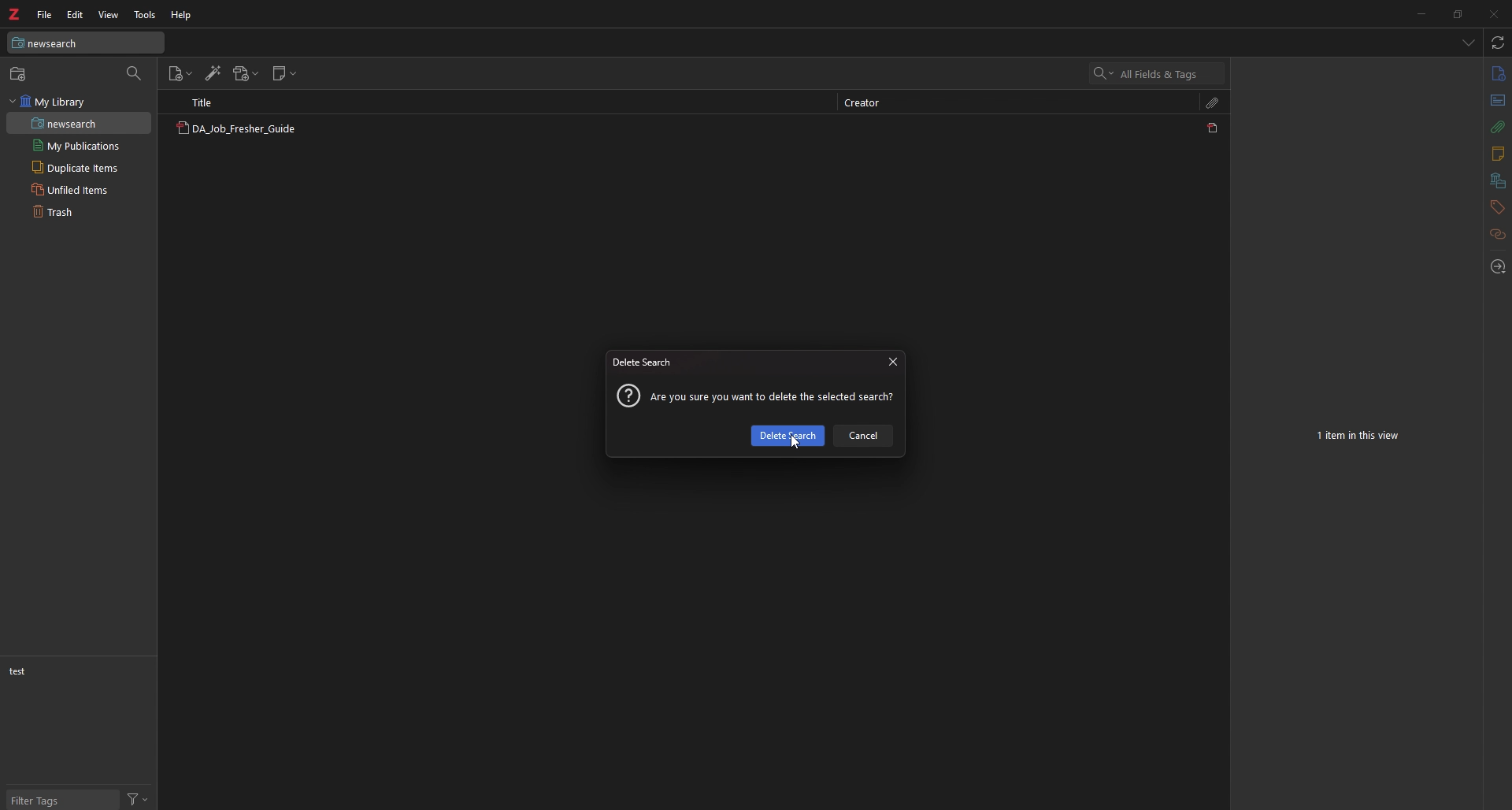 The width and height of the screenshot is (1512, 810). What do you see at coordinates (1495, 75) in the screenshot?
I see `info` at bounding box center [1495, 75].